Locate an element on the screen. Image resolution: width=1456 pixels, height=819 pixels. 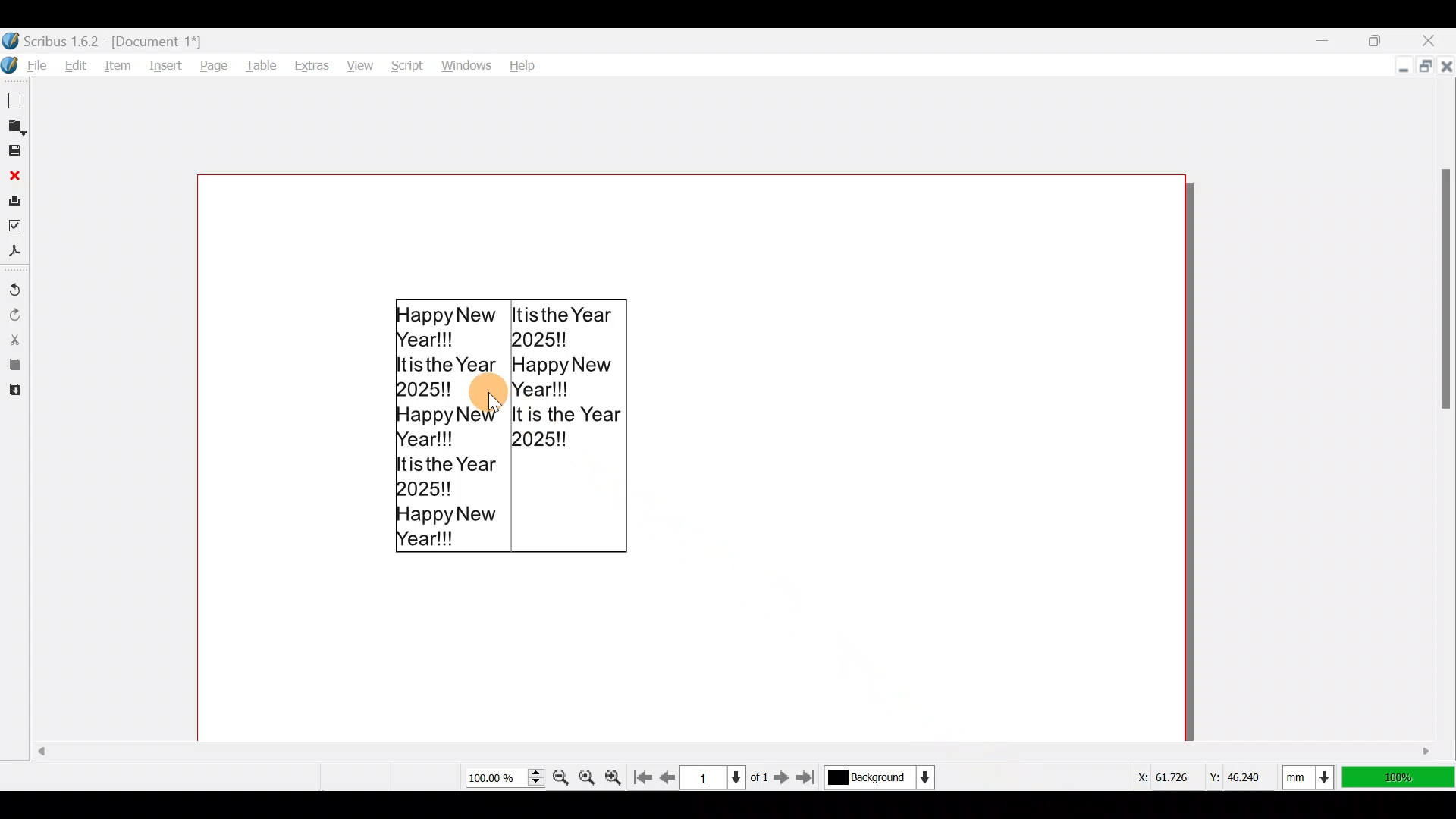
Preflight verifier is located at coordinates (17, 227).